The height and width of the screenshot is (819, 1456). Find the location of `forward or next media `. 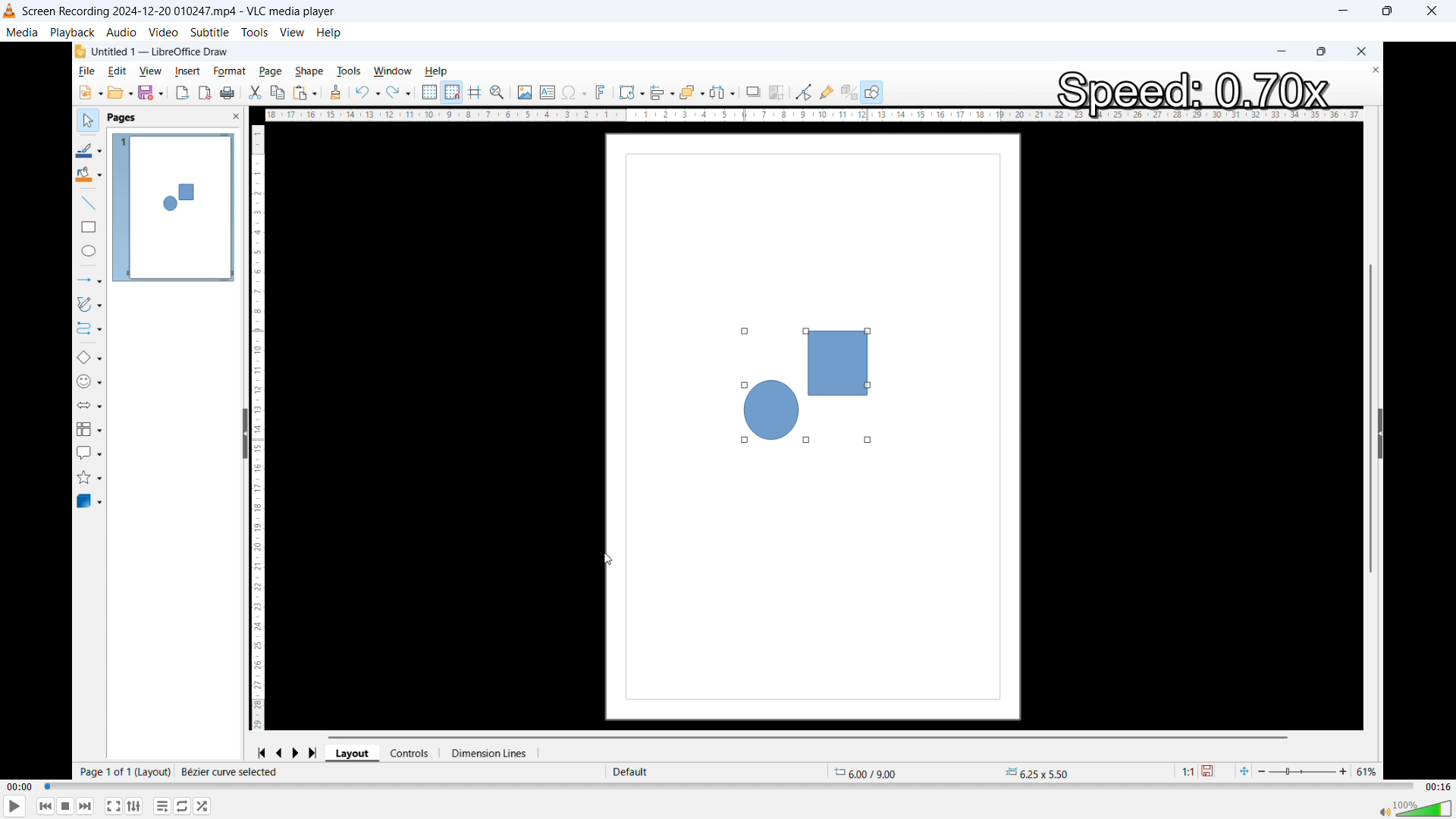

forward or next media  is located at coordinates (86, 806).